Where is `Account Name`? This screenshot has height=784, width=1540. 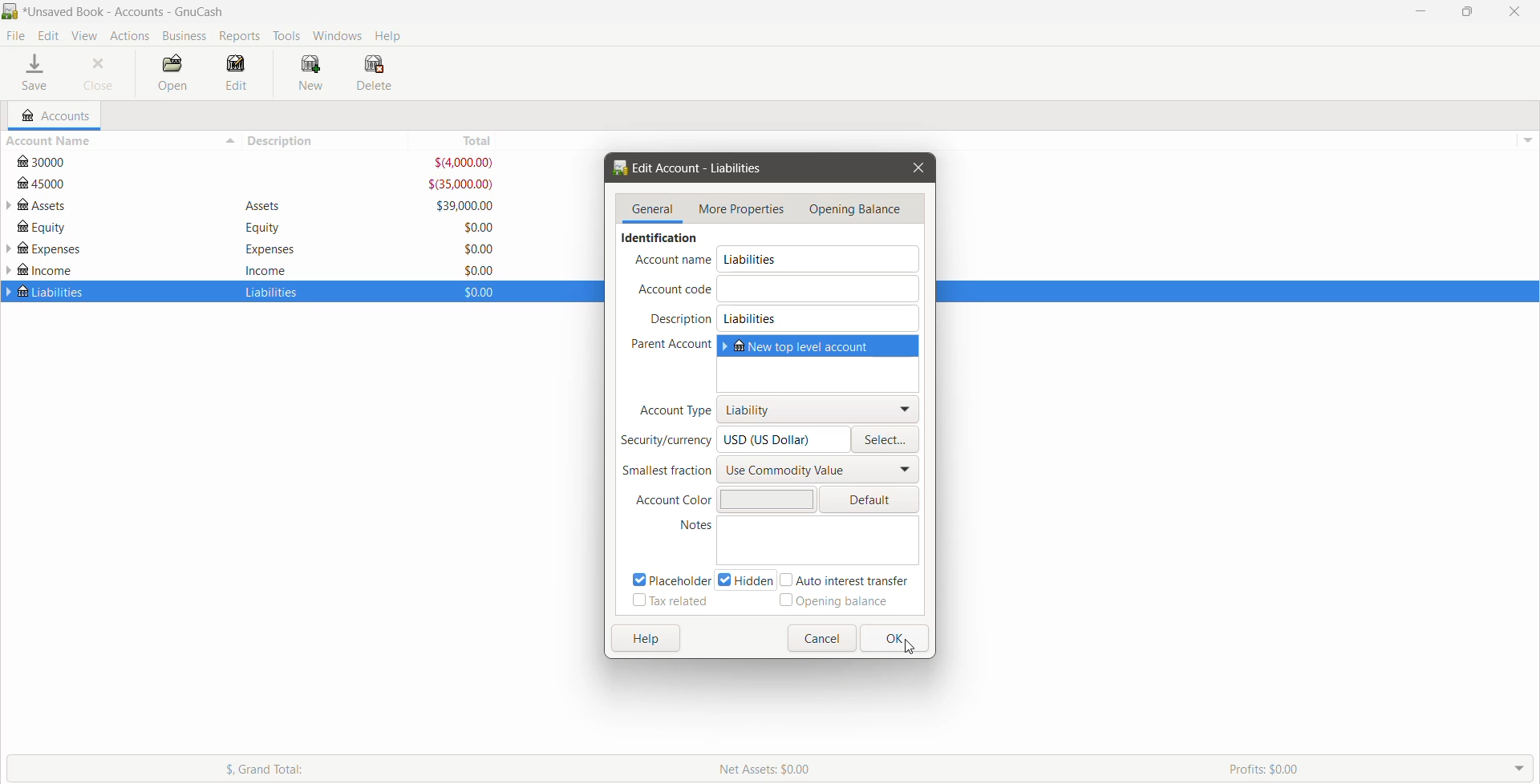
Account Name is located at coordinates (120, 141).